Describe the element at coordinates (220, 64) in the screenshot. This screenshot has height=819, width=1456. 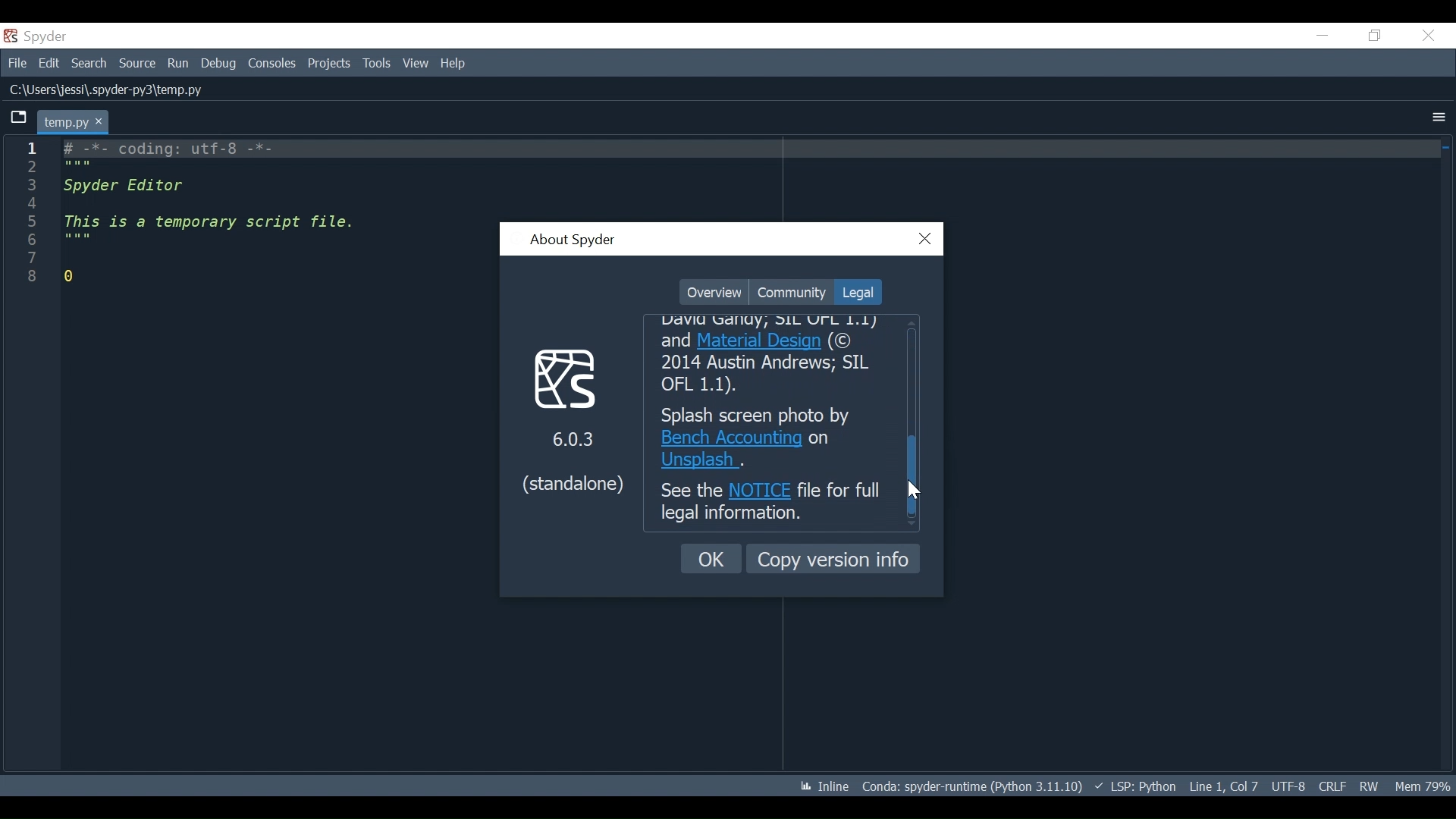
I see `Debug` at that location.